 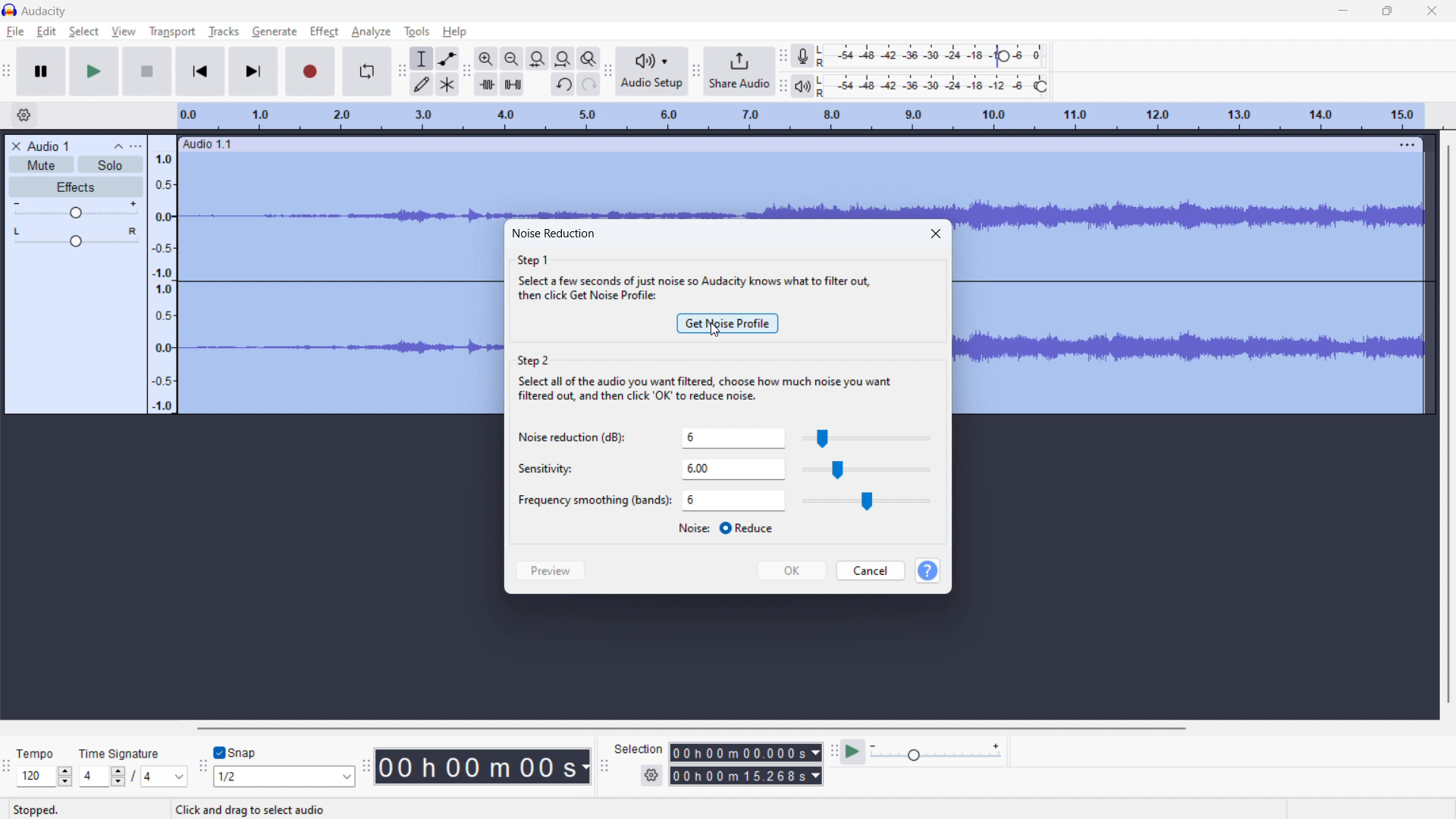 What do you see at coordinates (275, 32) in the screenshot?
I see `generate` at bounding box center [275, 32].